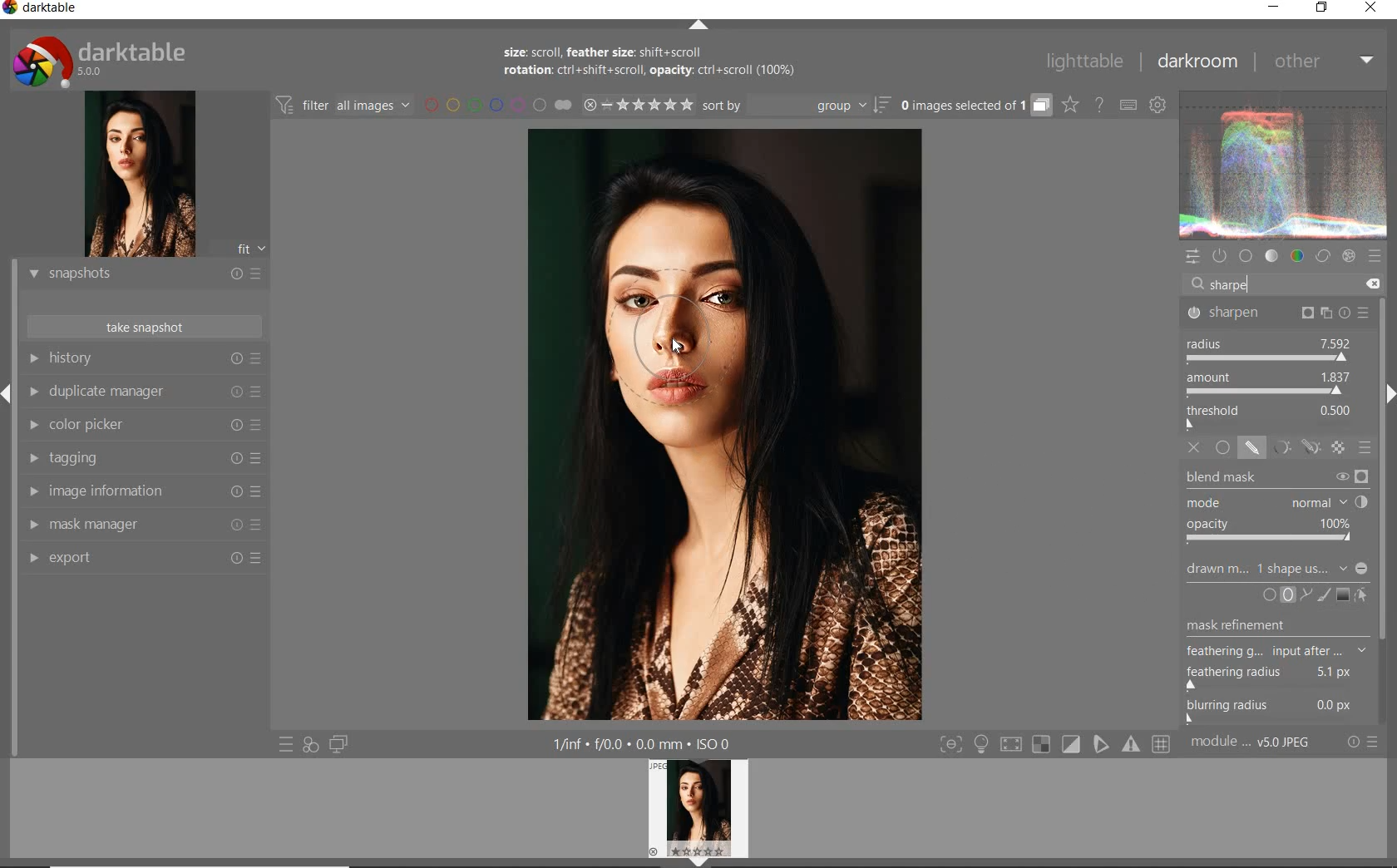 Image resolution: width=1397 pixels, height=868 pixels. Describe the element at coordinates (142, 427) in the screenshot. I see `COLOR PICKER` at that location.